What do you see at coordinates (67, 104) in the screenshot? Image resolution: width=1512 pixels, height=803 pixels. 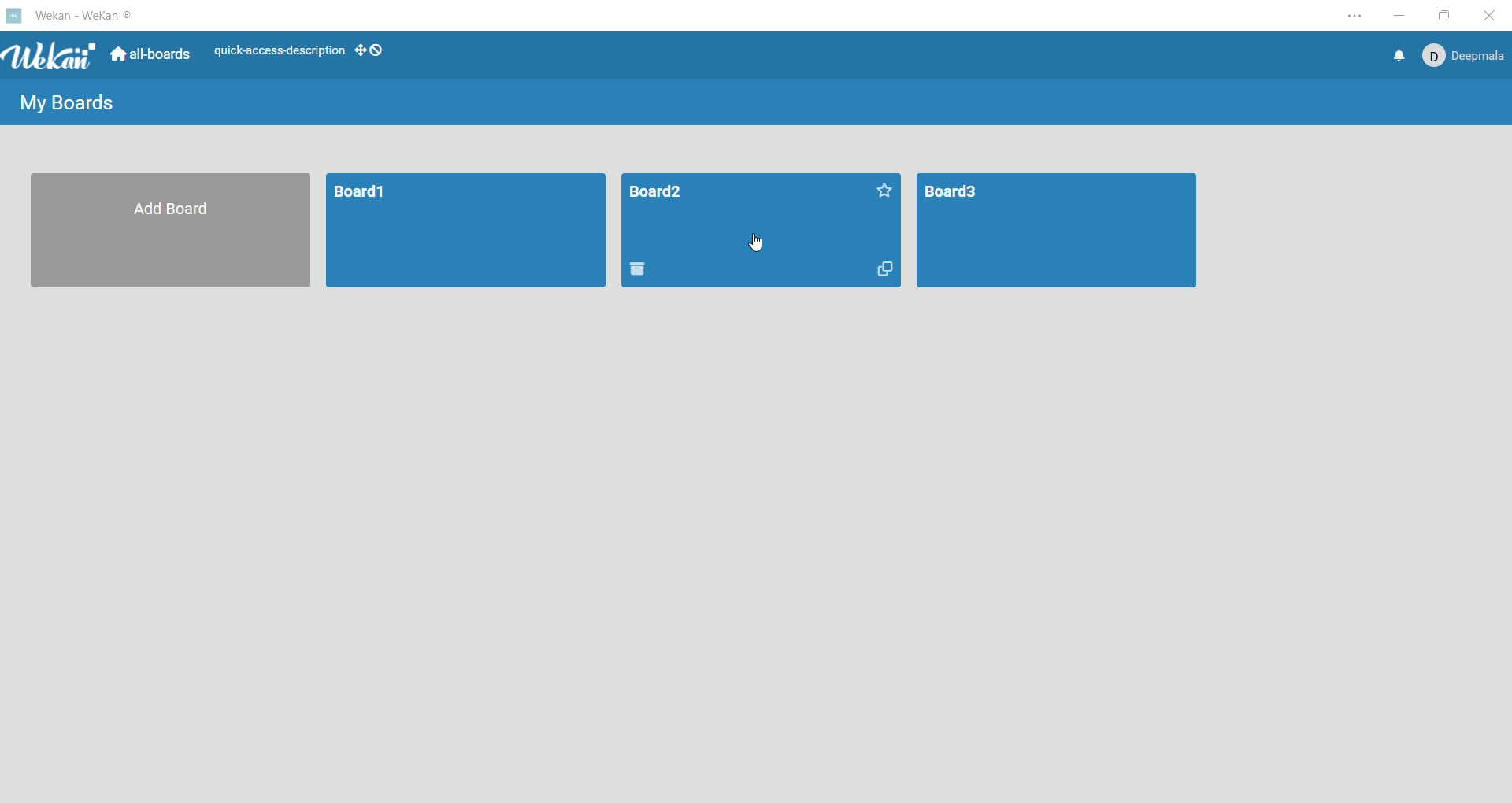 I see `my boards` at bounding box center [67, 104].